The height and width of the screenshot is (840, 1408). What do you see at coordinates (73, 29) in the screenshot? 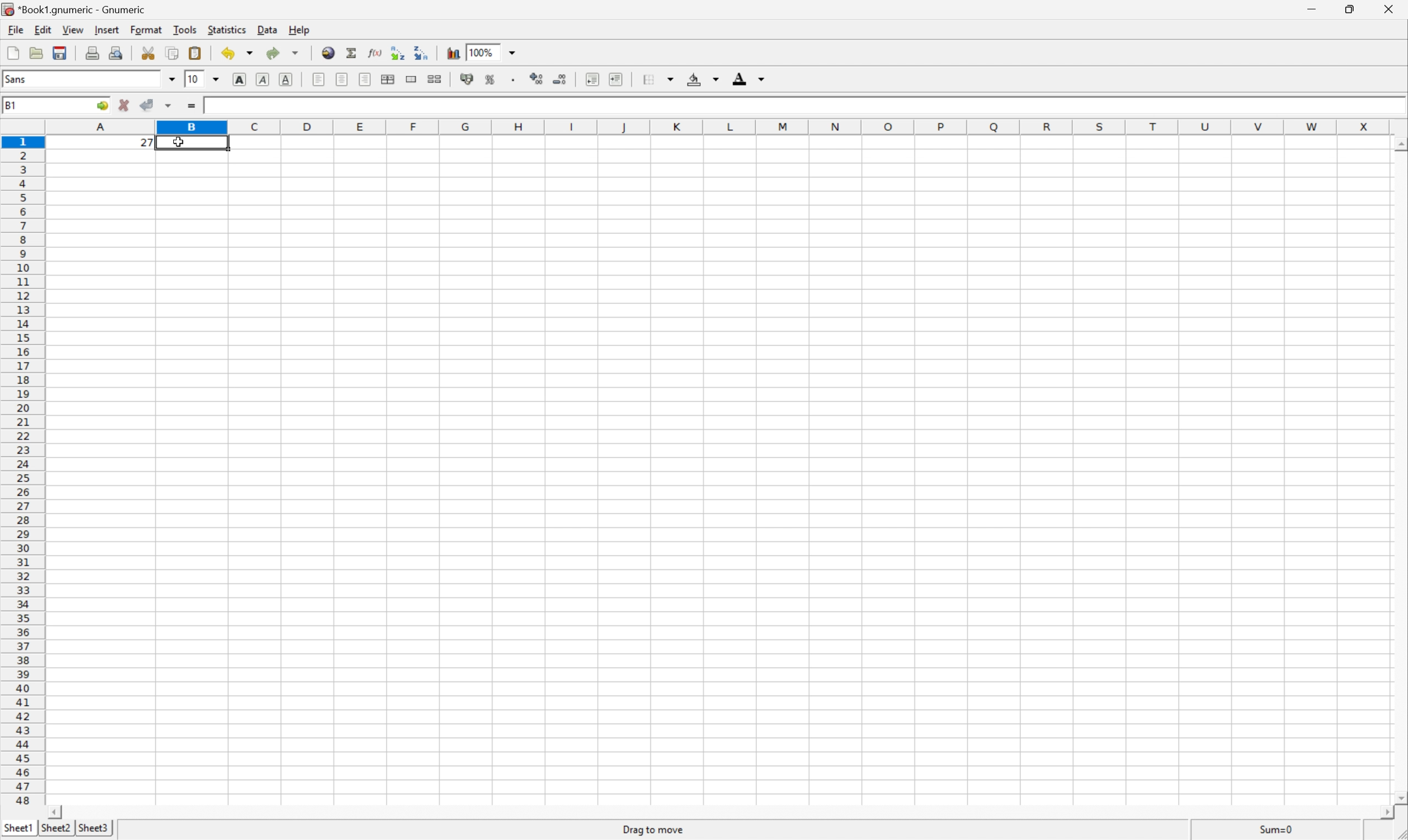
I see `View` at bounding box center [73, 29].